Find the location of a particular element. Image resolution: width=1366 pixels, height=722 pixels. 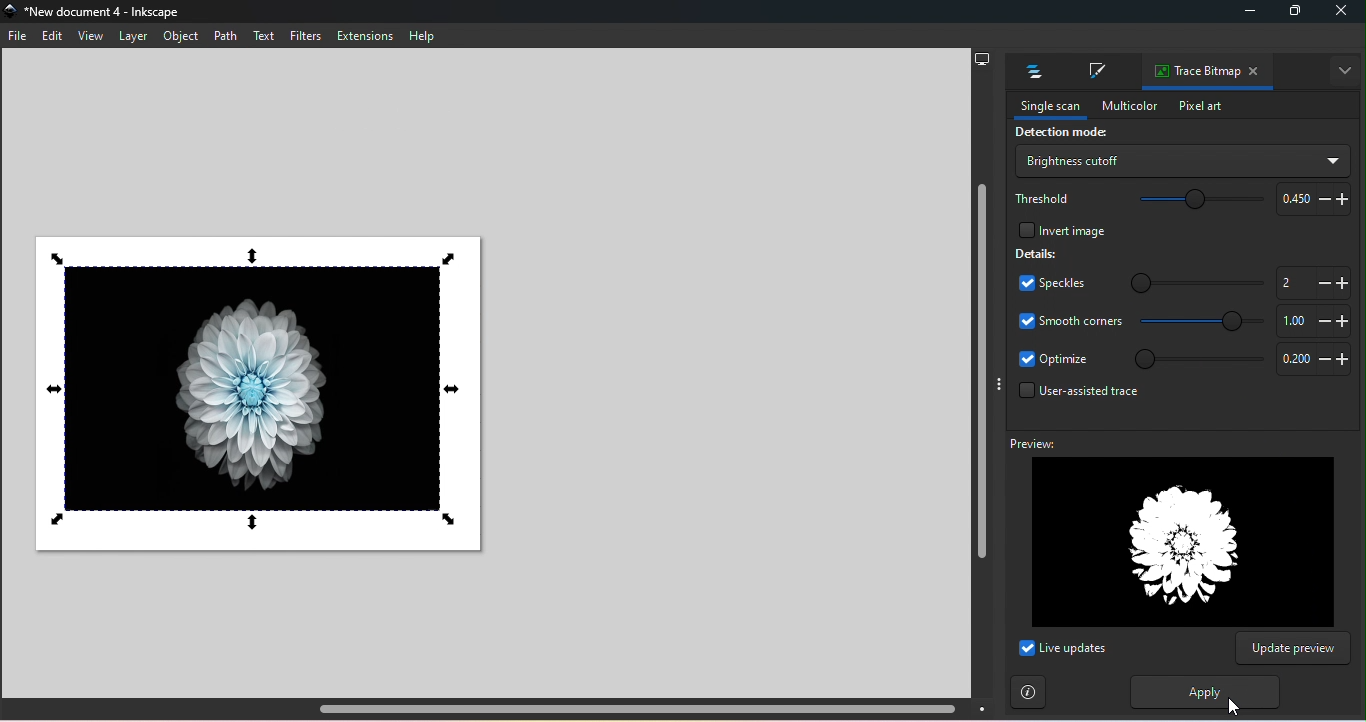

Text is located at coordinates (265, 36).